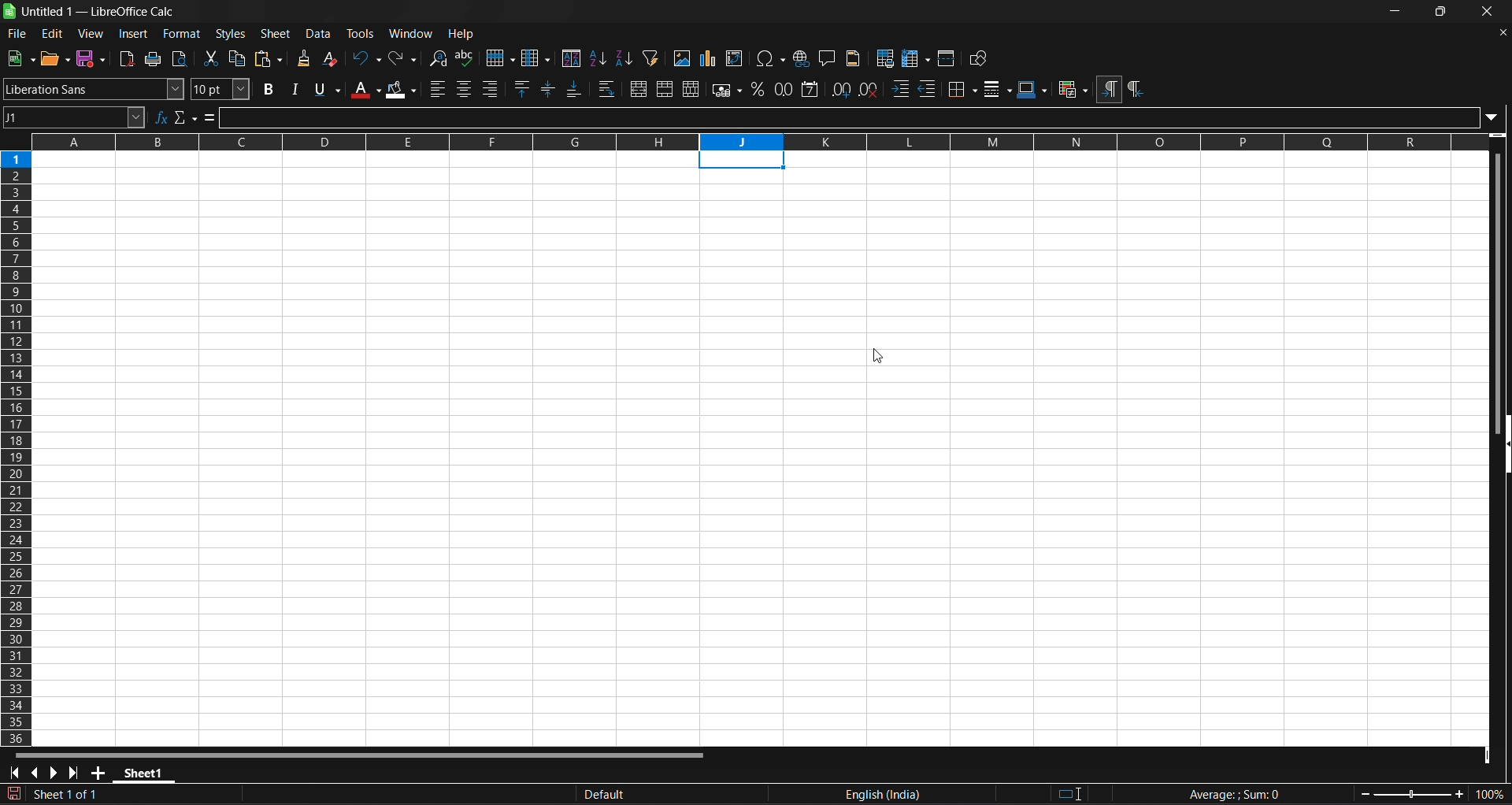 This screenshot has width=1512, height=805. What do you see at coordinates (269, 89) in the screenshot?
I see `bold` at bounding box center [269, 89].